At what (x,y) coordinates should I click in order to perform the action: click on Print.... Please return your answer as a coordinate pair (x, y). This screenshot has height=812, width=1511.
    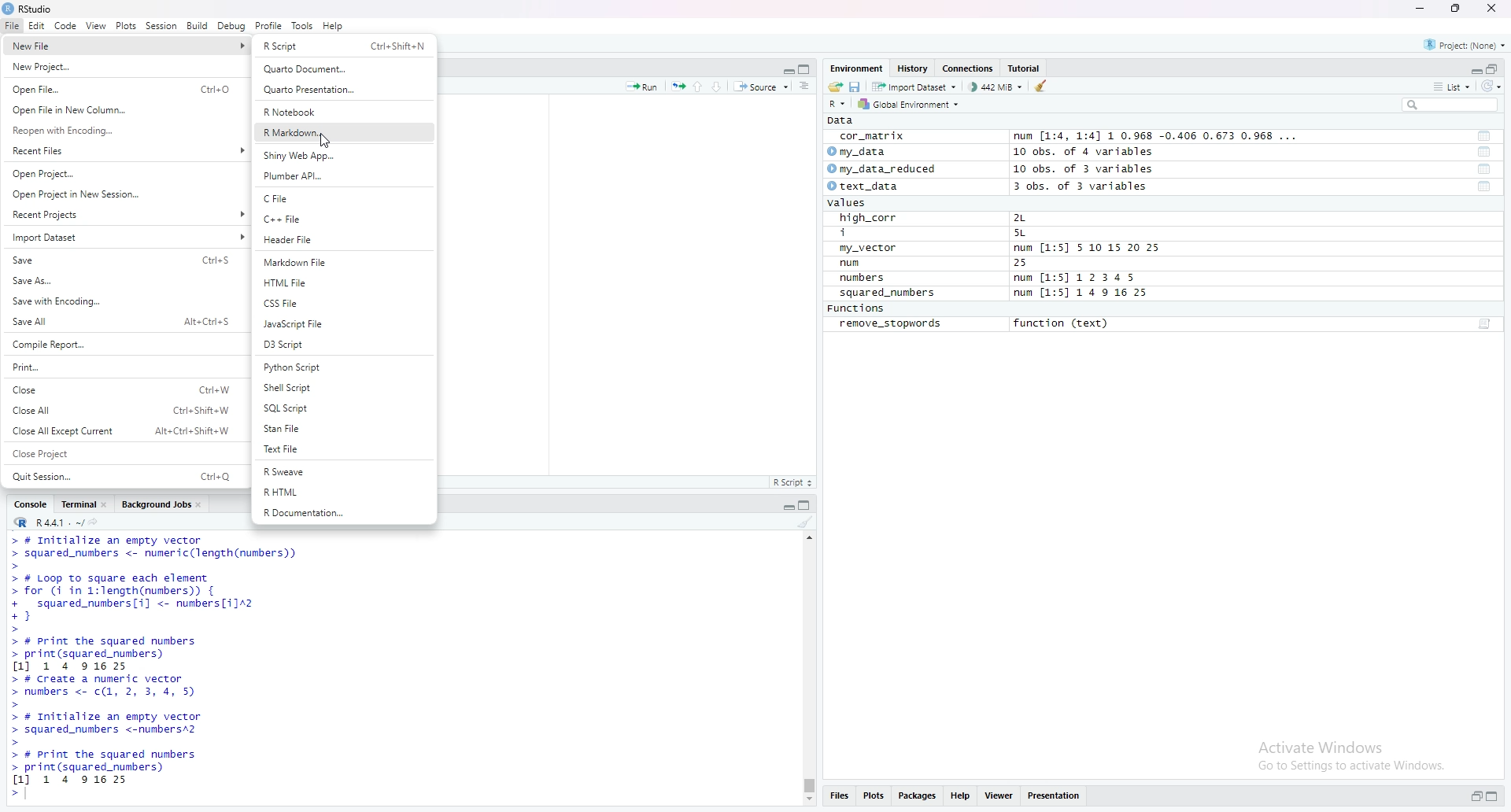
    Looking at the image, I should click on (118, 365).